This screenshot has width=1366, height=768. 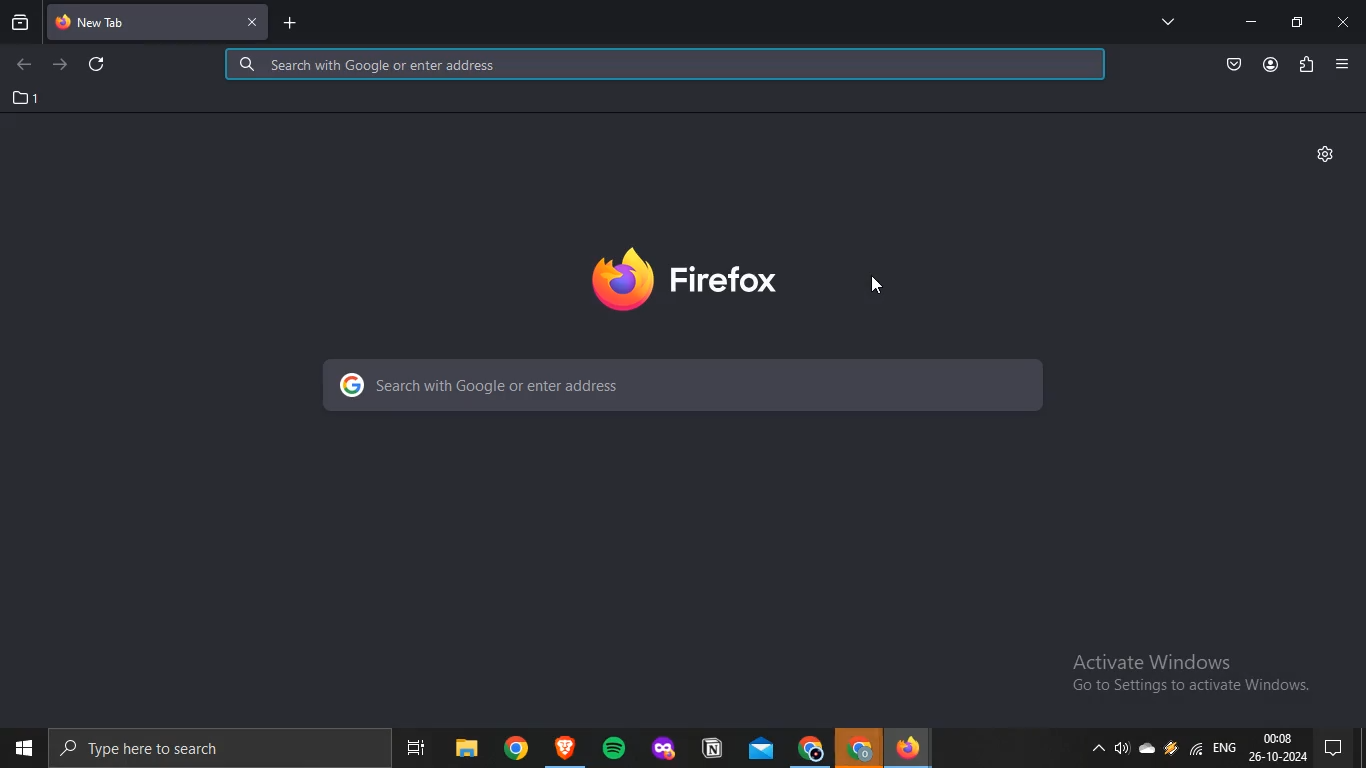 I want to click on pc settings menu, so click(x=1342, y=747).